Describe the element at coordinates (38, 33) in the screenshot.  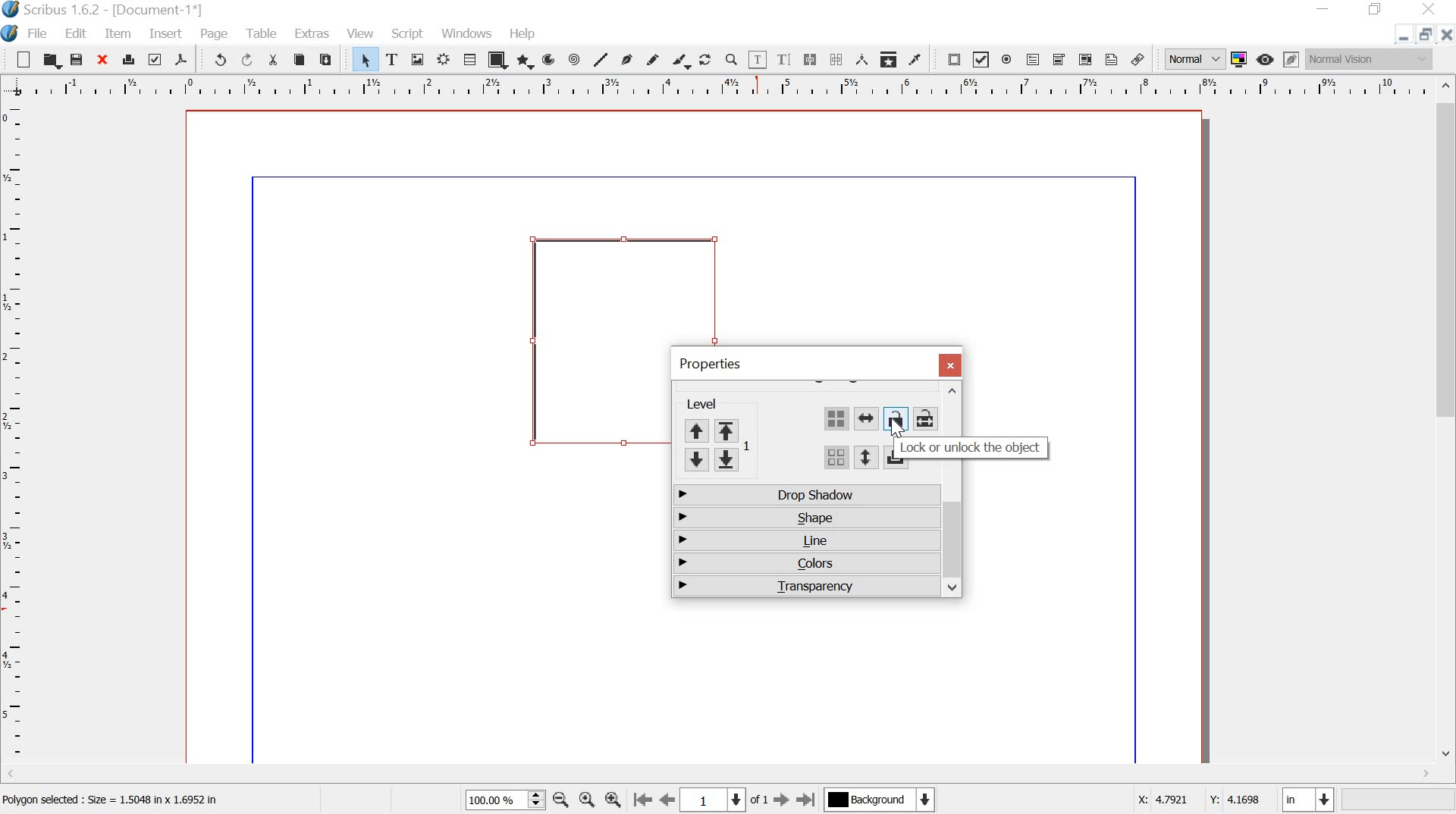
I see `file` at that location.